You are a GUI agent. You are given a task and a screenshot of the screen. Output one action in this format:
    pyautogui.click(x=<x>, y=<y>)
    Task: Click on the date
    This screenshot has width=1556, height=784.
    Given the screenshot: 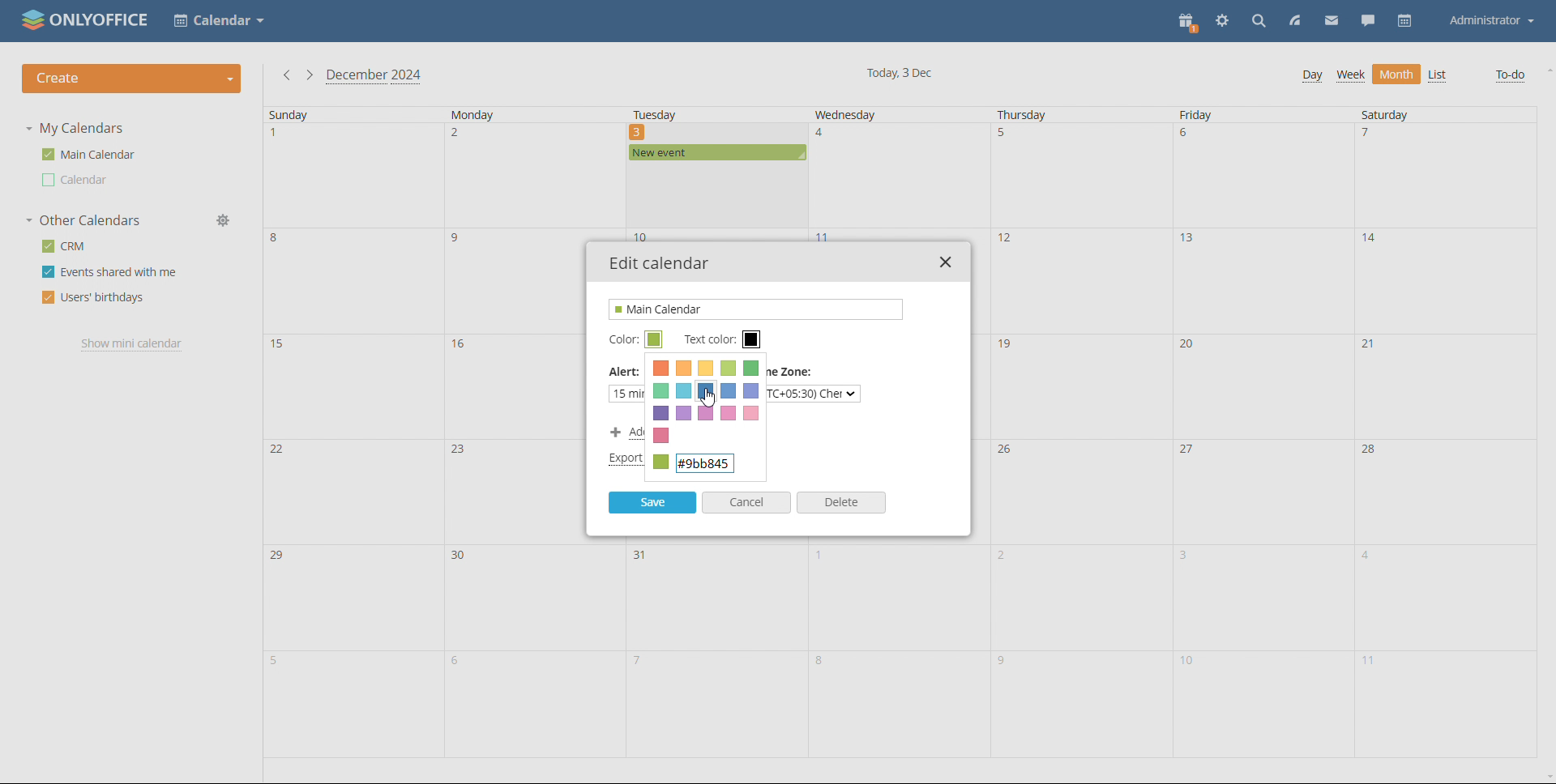 What is the action you would take?
    pyautogui.click(x=1261, y=282)
    